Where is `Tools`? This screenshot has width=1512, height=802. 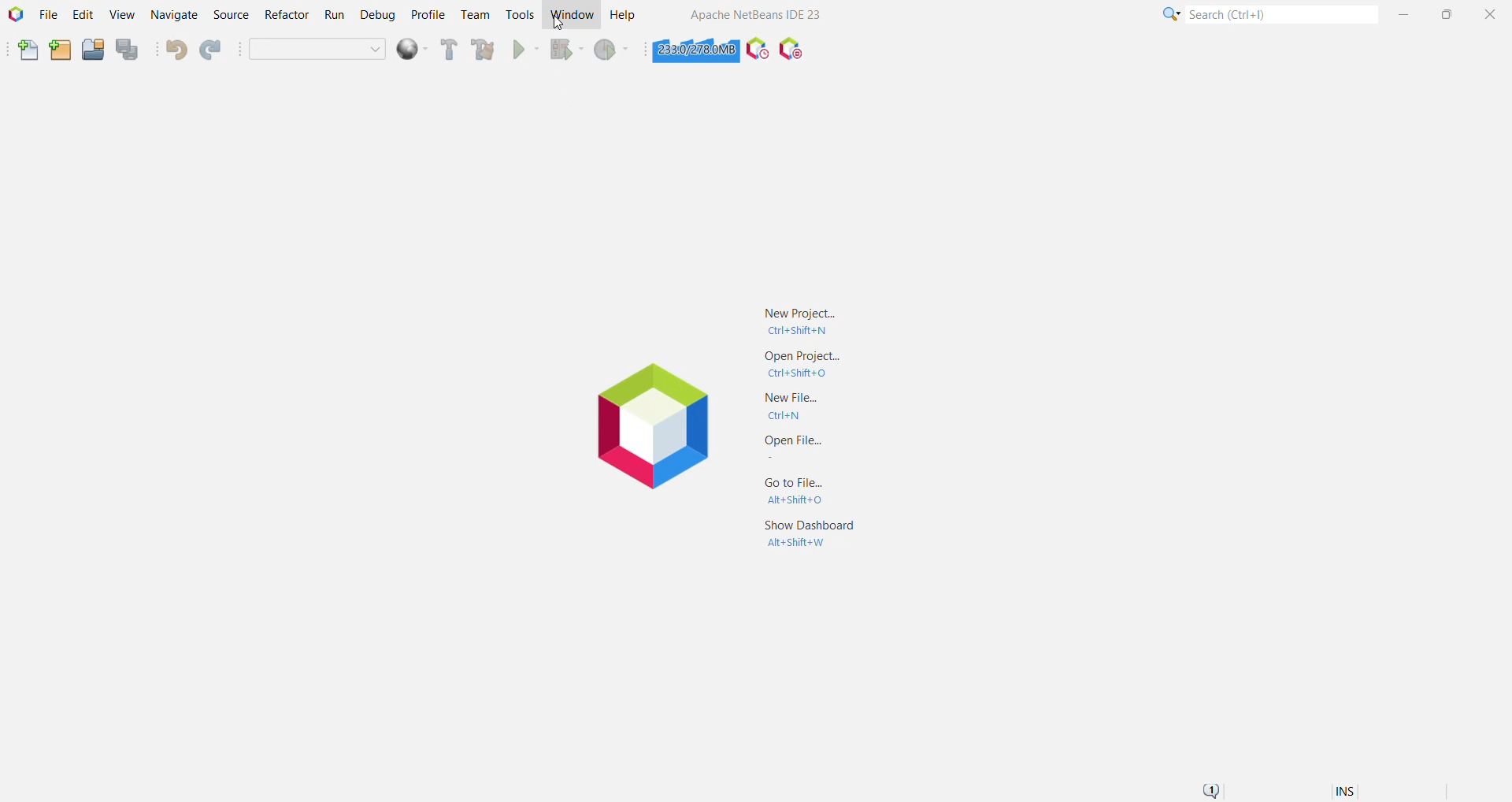 Tools is located at coordinates (520, 13).